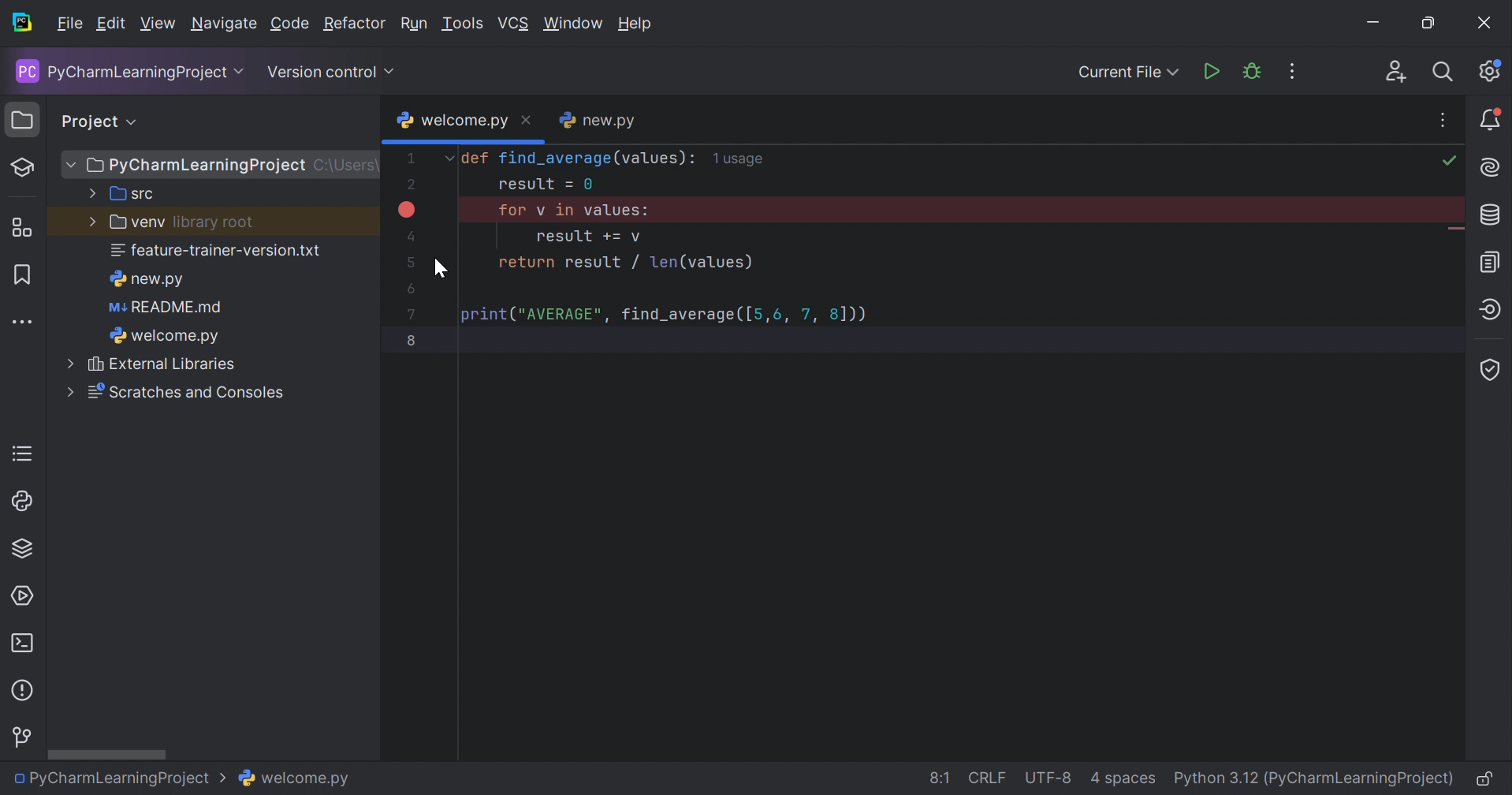 The height and width of the screenshot is (795, 1512). I want to click on README.md, so click(165, 308).